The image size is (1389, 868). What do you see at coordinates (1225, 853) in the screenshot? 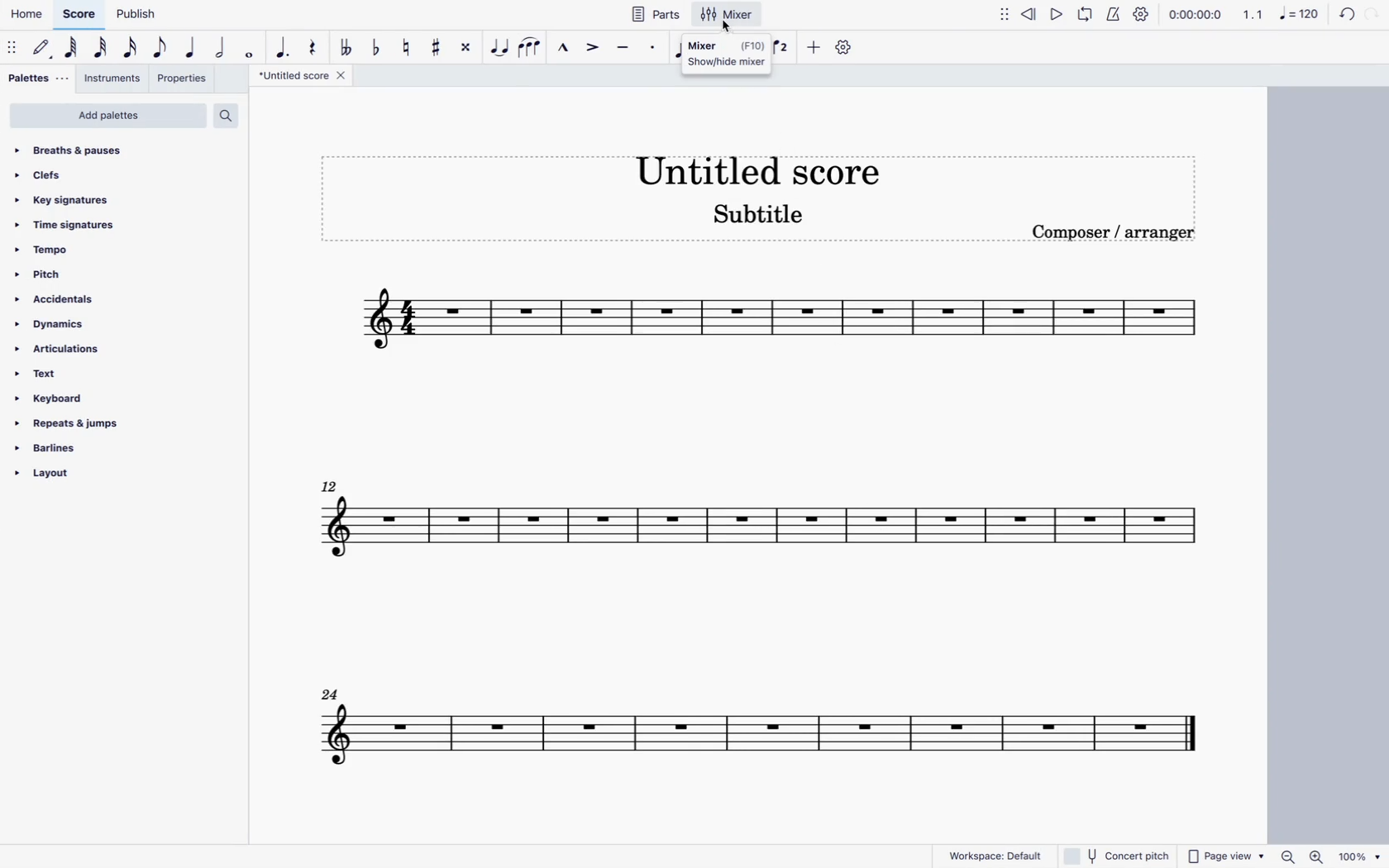
I see `page view` at bounding box center [1225, 853].